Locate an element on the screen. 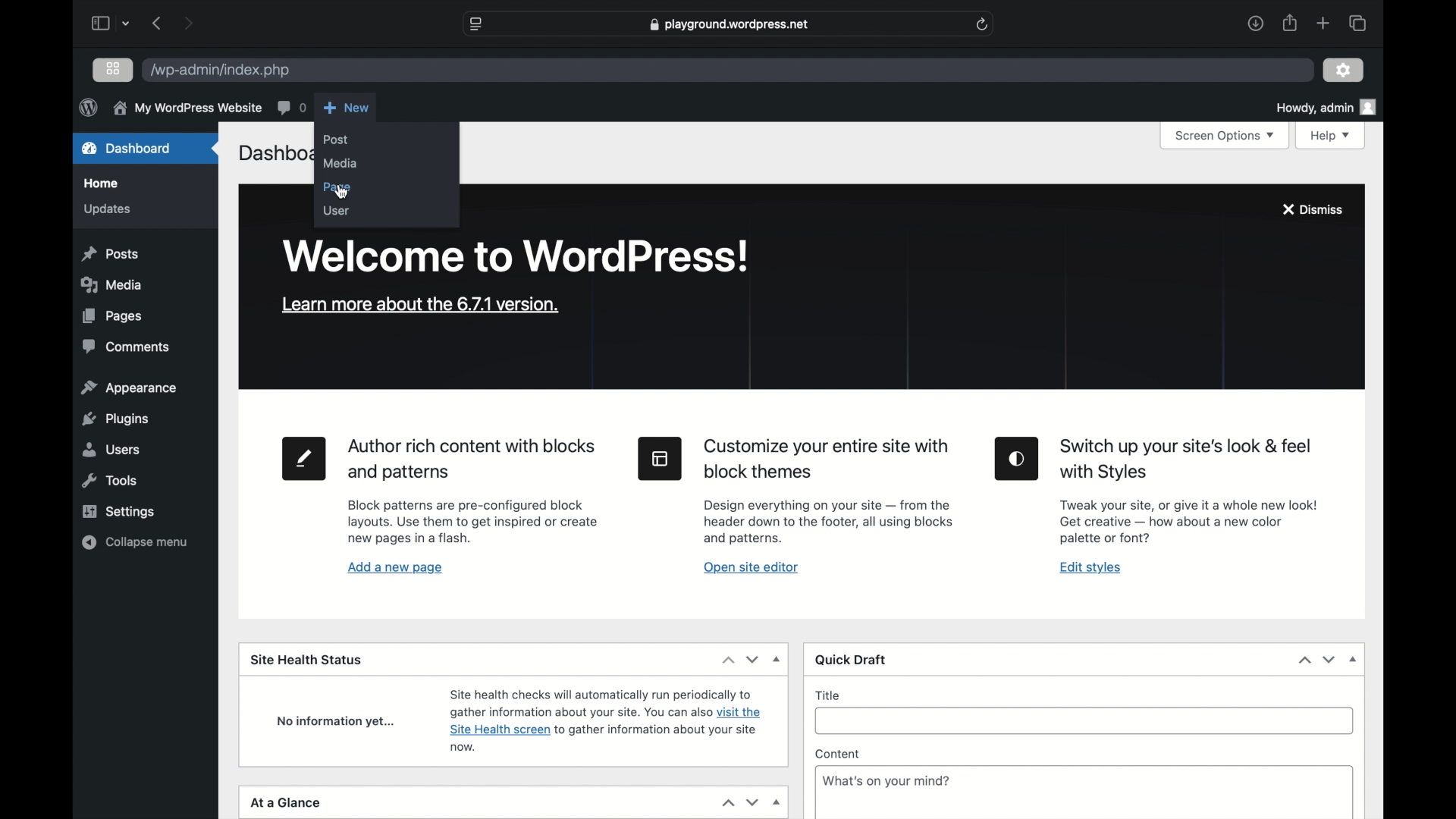 This screenshot has height=819, width=1456. dropdown is located at coordinates (127, 23).